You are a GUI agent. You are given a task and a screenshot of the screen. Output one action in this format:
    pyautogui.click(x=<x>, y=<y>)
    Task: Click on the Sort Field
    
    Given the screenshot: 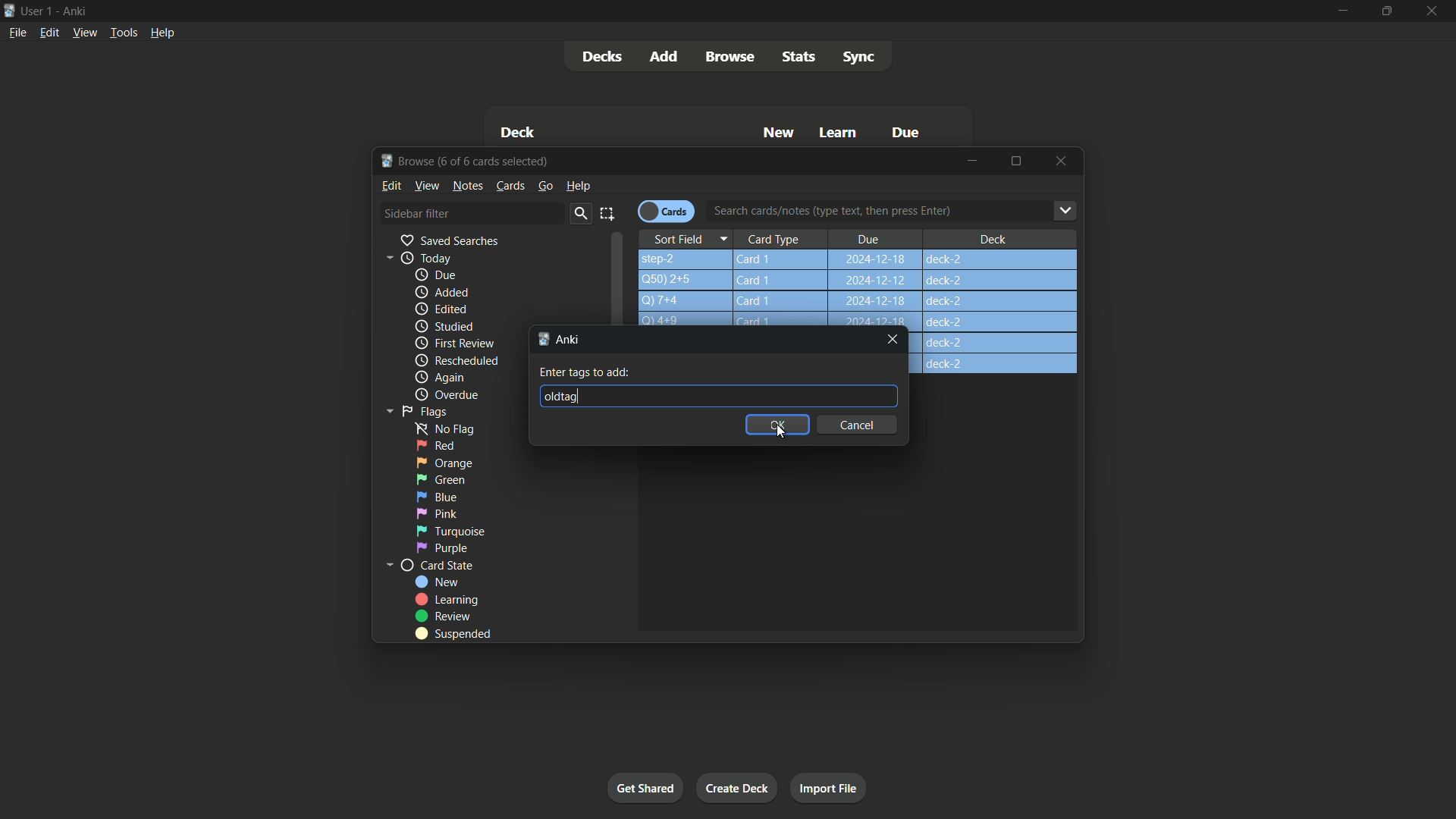 What is the action you would take?
    pyautogui.click(x=689, y=237)
    